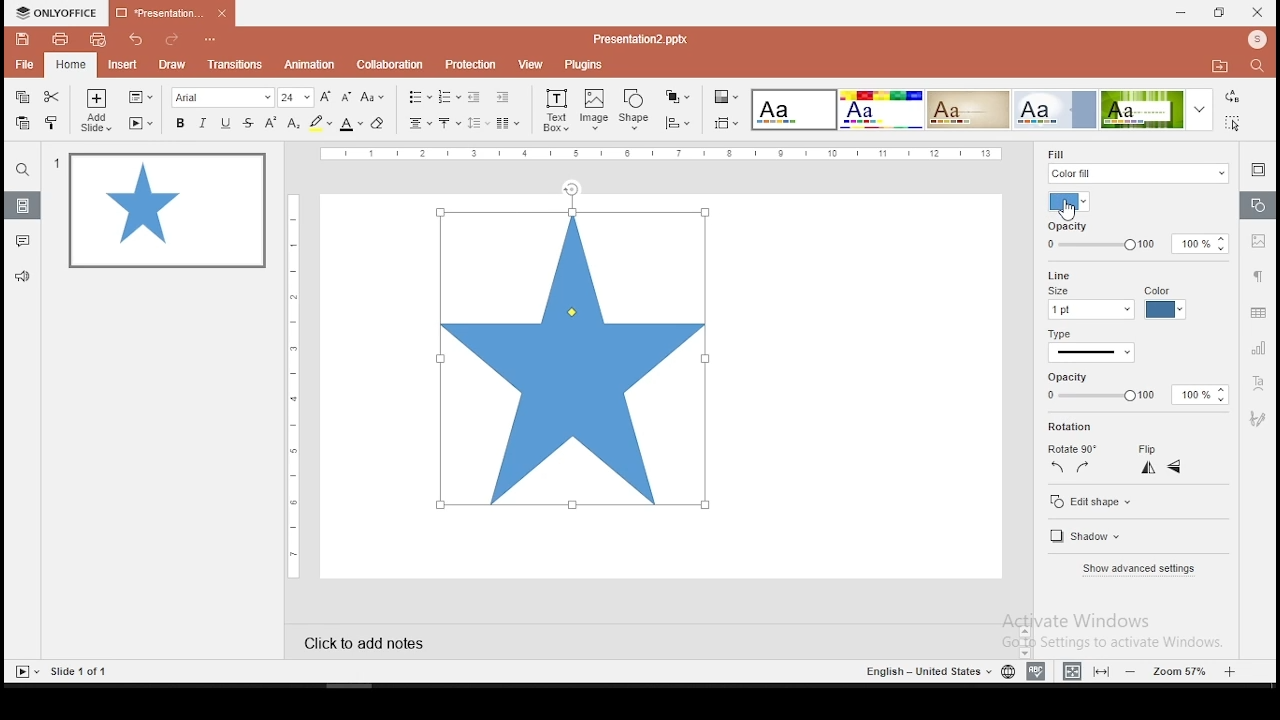 This screenshot has width=1280, height=720. Describe the element at coordinates (448, 124) in the screenshot. I see `vertical alignment` at that location.